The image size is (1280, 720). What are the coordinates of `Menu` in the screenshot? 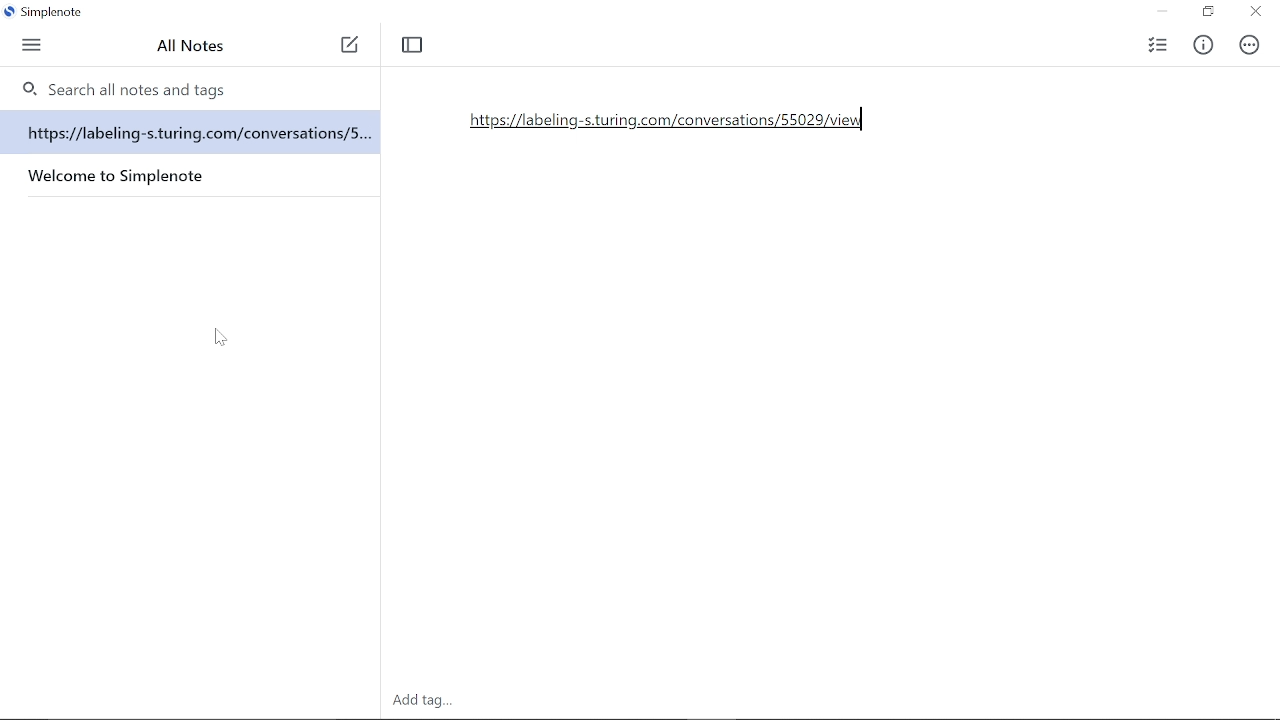 It's located at (34, 43).